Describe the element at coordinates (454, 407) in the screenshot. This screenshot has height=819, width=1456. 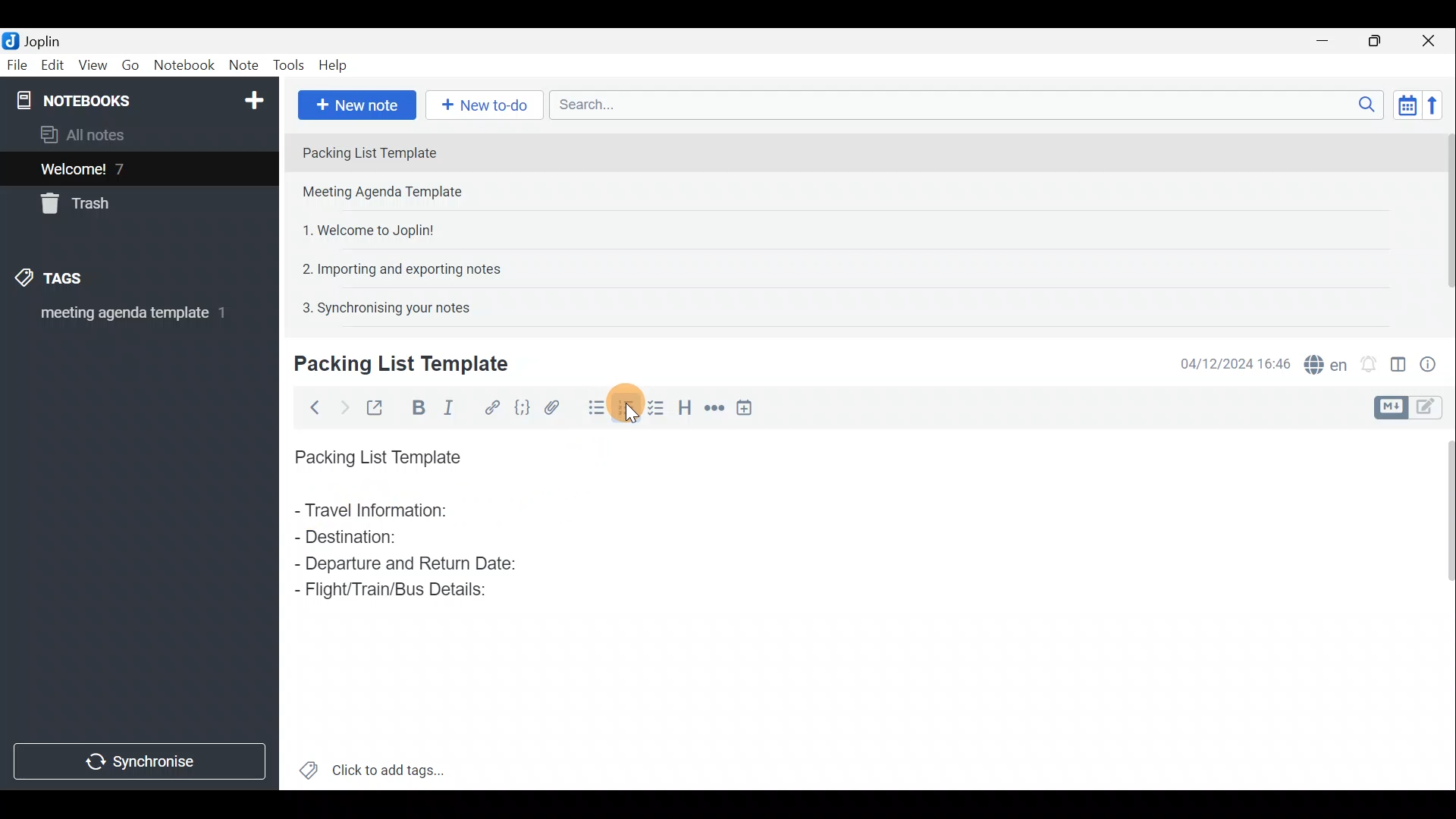
I see `Italic` at that location.